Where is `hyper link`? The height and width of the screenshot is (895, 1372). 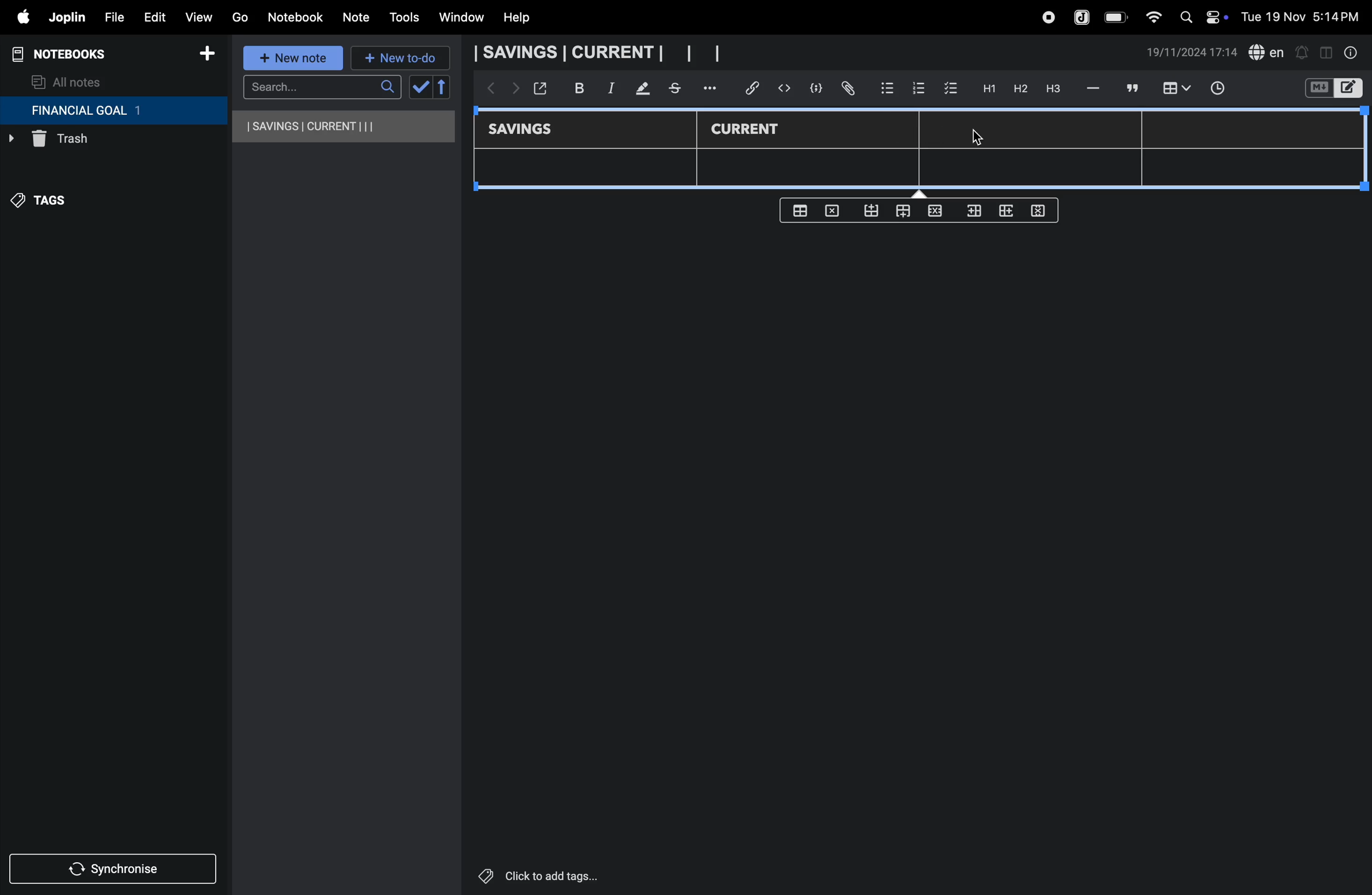 hyper link is located at coordinates (756, 88).